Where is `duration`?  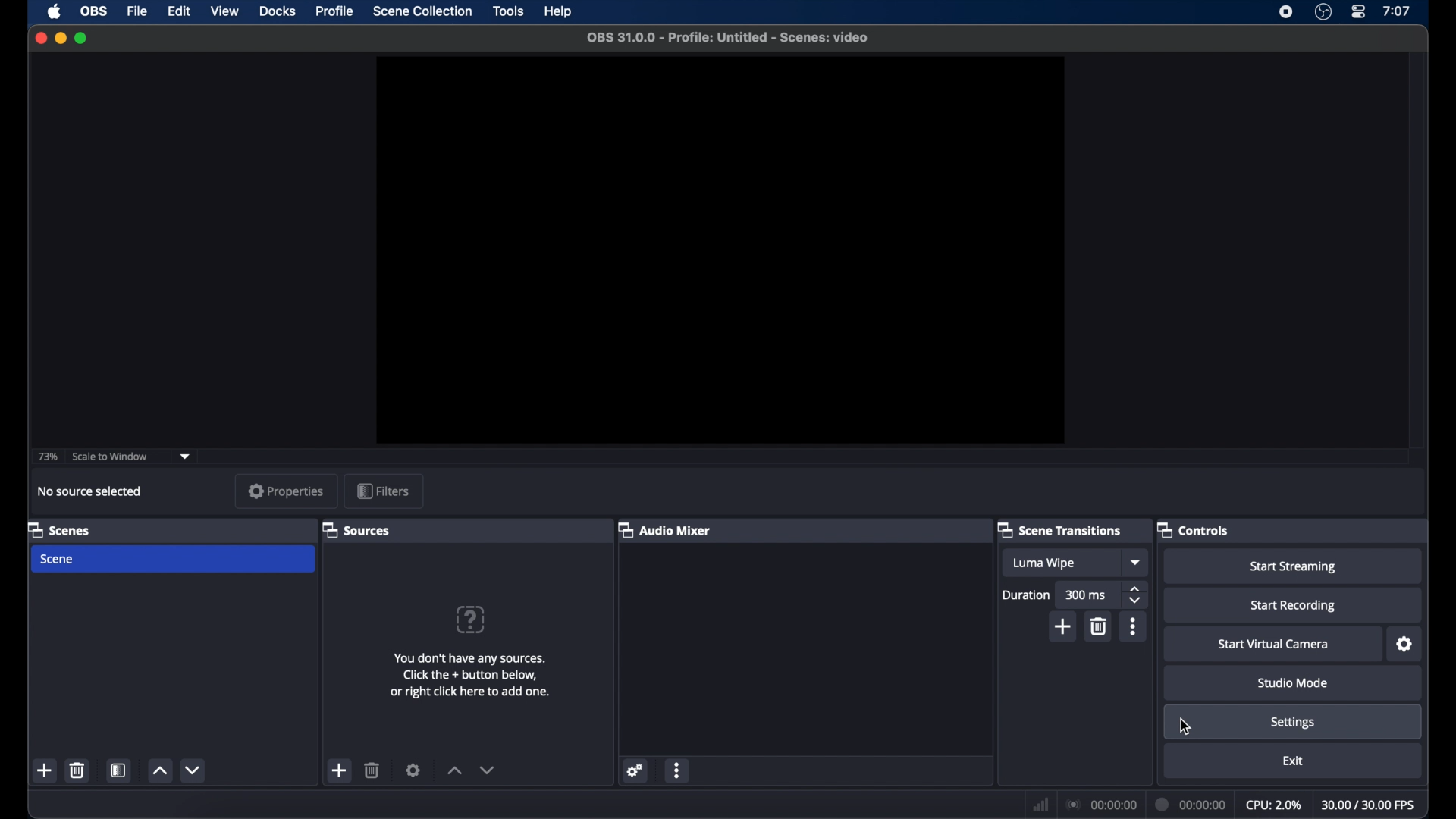 duration is located at coordinates (1025, 595).